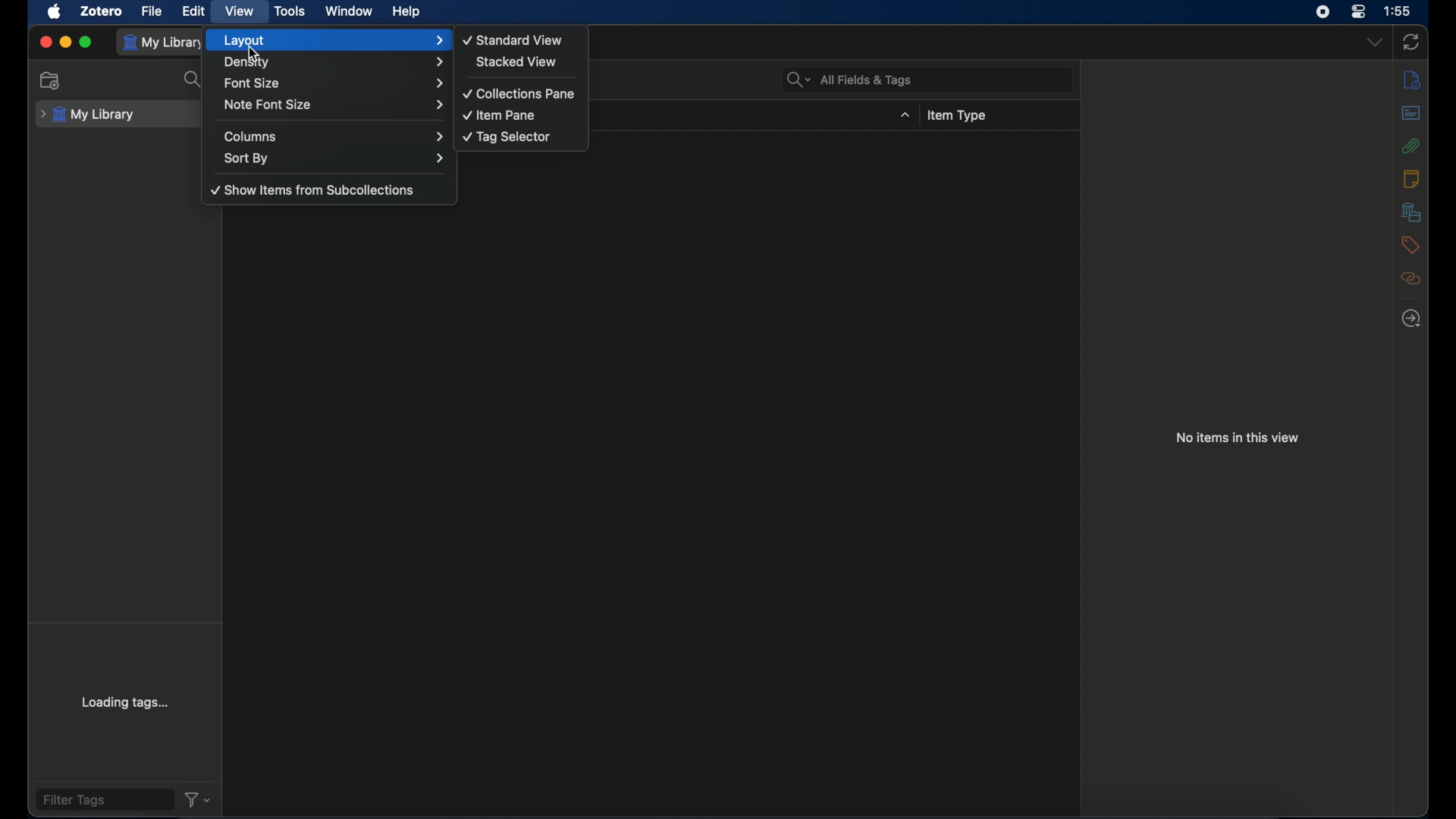 The height and width of the screenshot is (819, 1456). Describe the element at coordinates (522, 94) in the screenshot. I see `collections pane` at that location.